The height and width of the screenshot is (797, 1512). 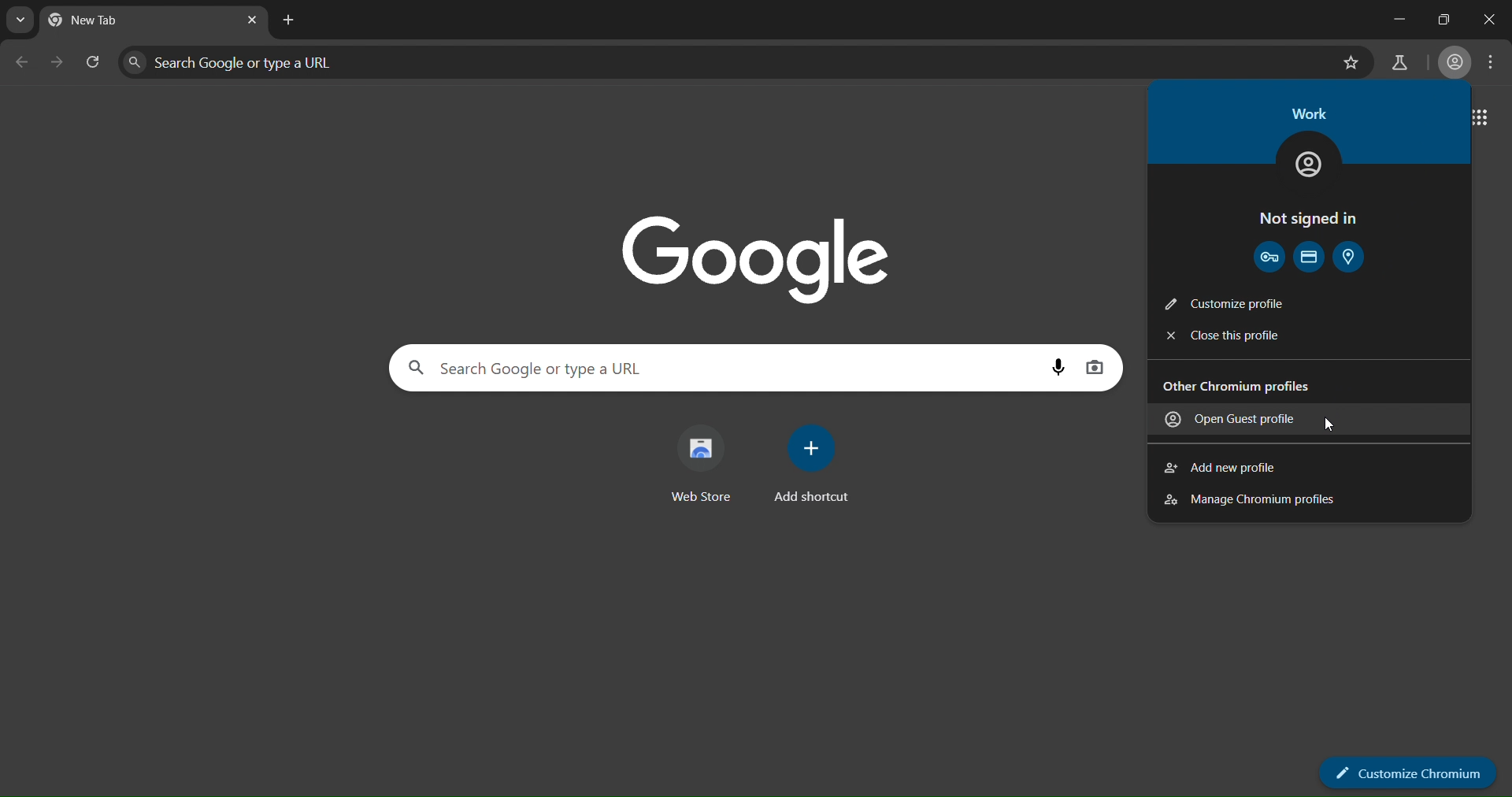 I want to click on work, so click(x=1309, y=112).